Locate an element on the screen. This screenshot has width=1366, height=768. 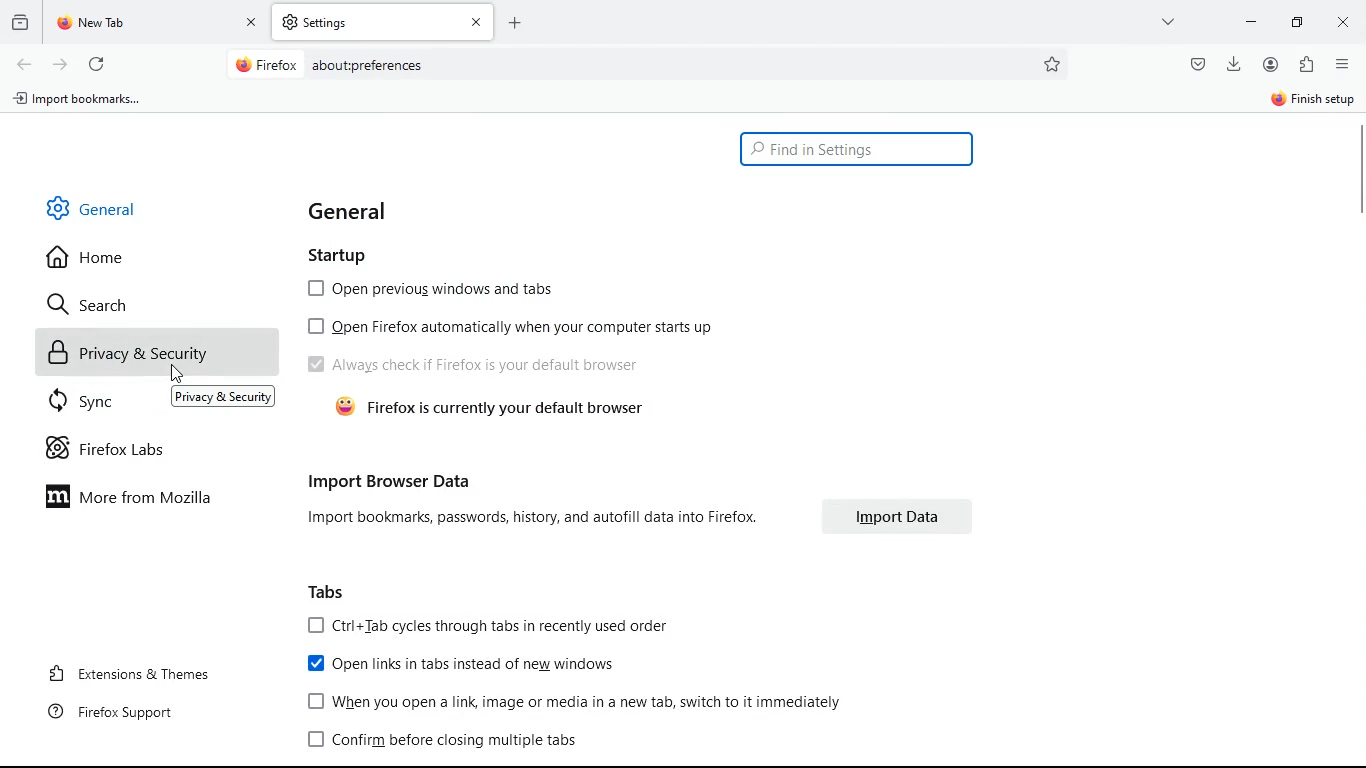
minimize is located at coordinates (1251, 20).